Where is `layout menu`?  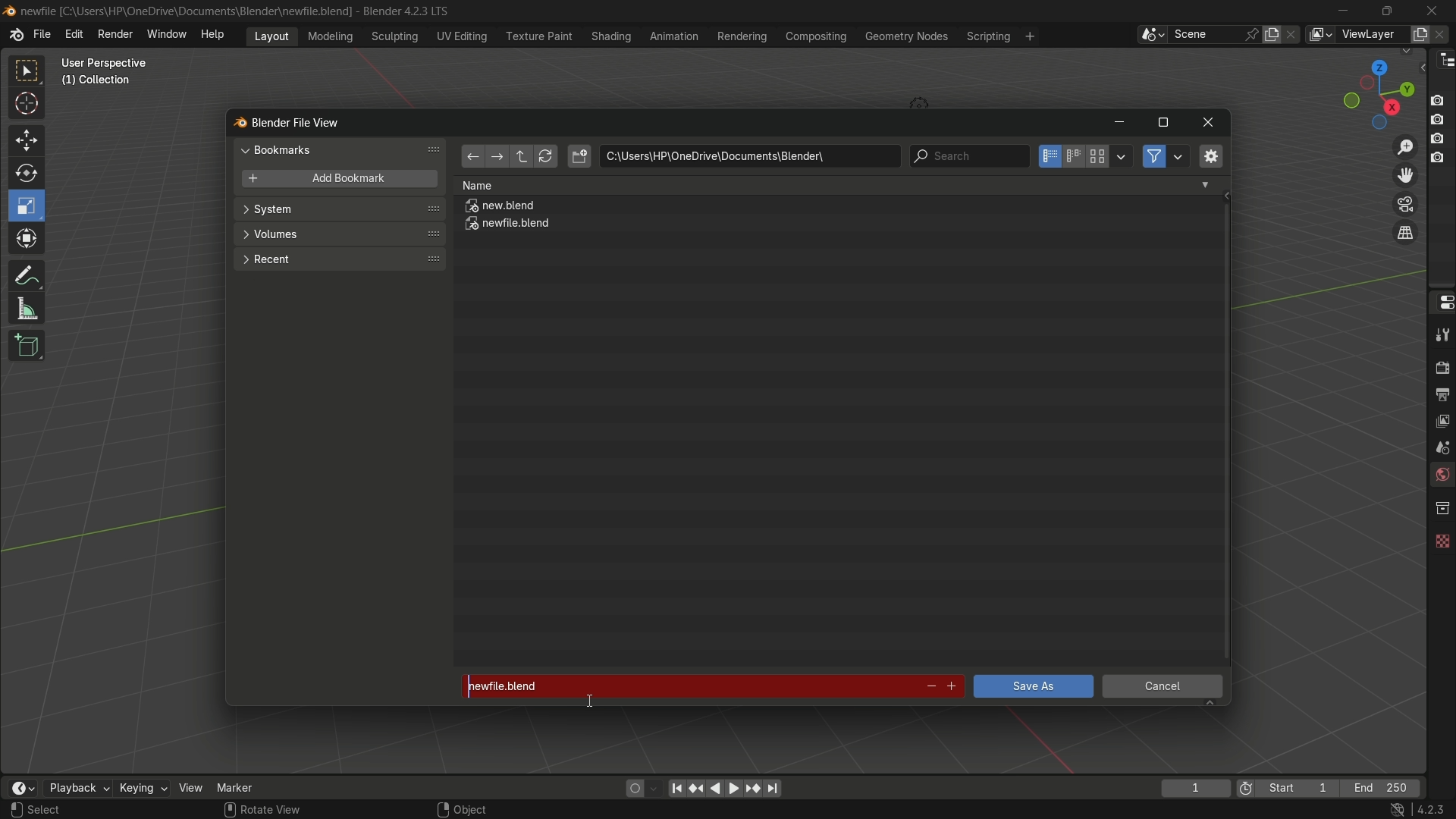
layout menu is located at coordinates (271, 35).